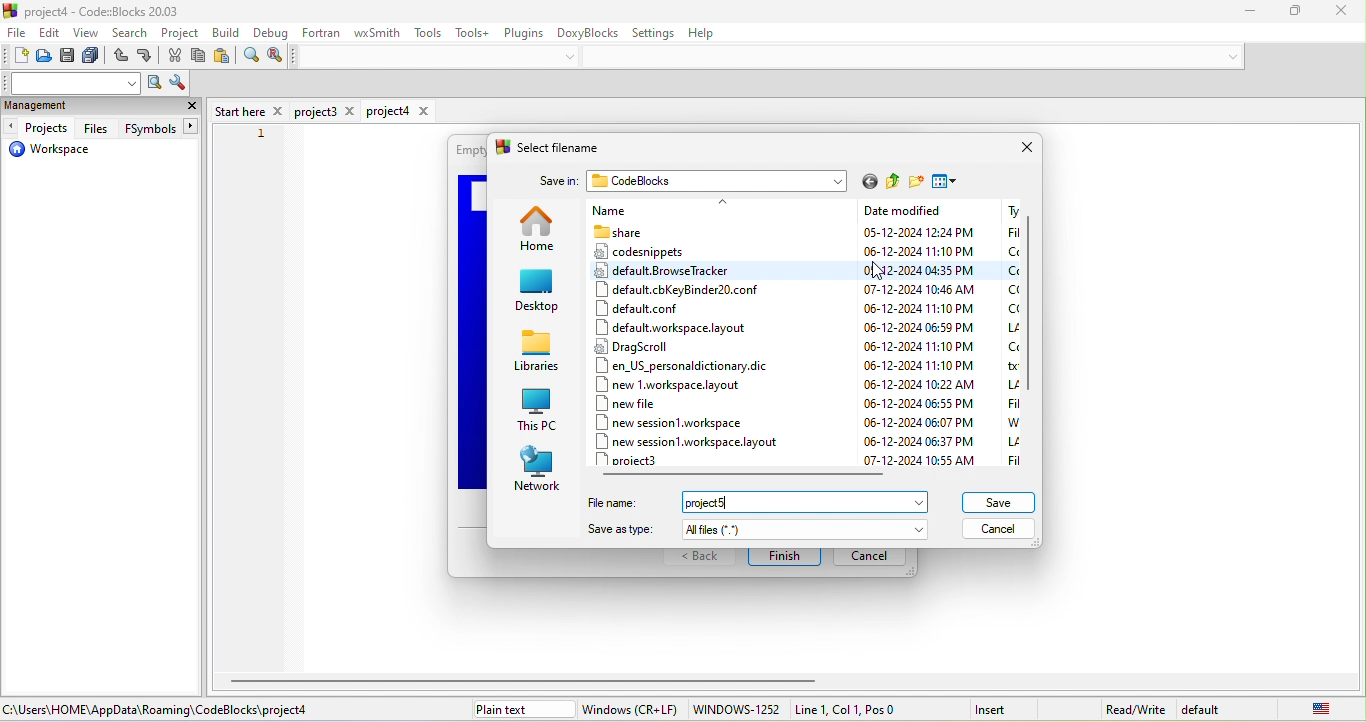 The image size is (1366, 722). Describe the element at coordinates (50, 152) in the screenshot. I see `workspace` at that location.